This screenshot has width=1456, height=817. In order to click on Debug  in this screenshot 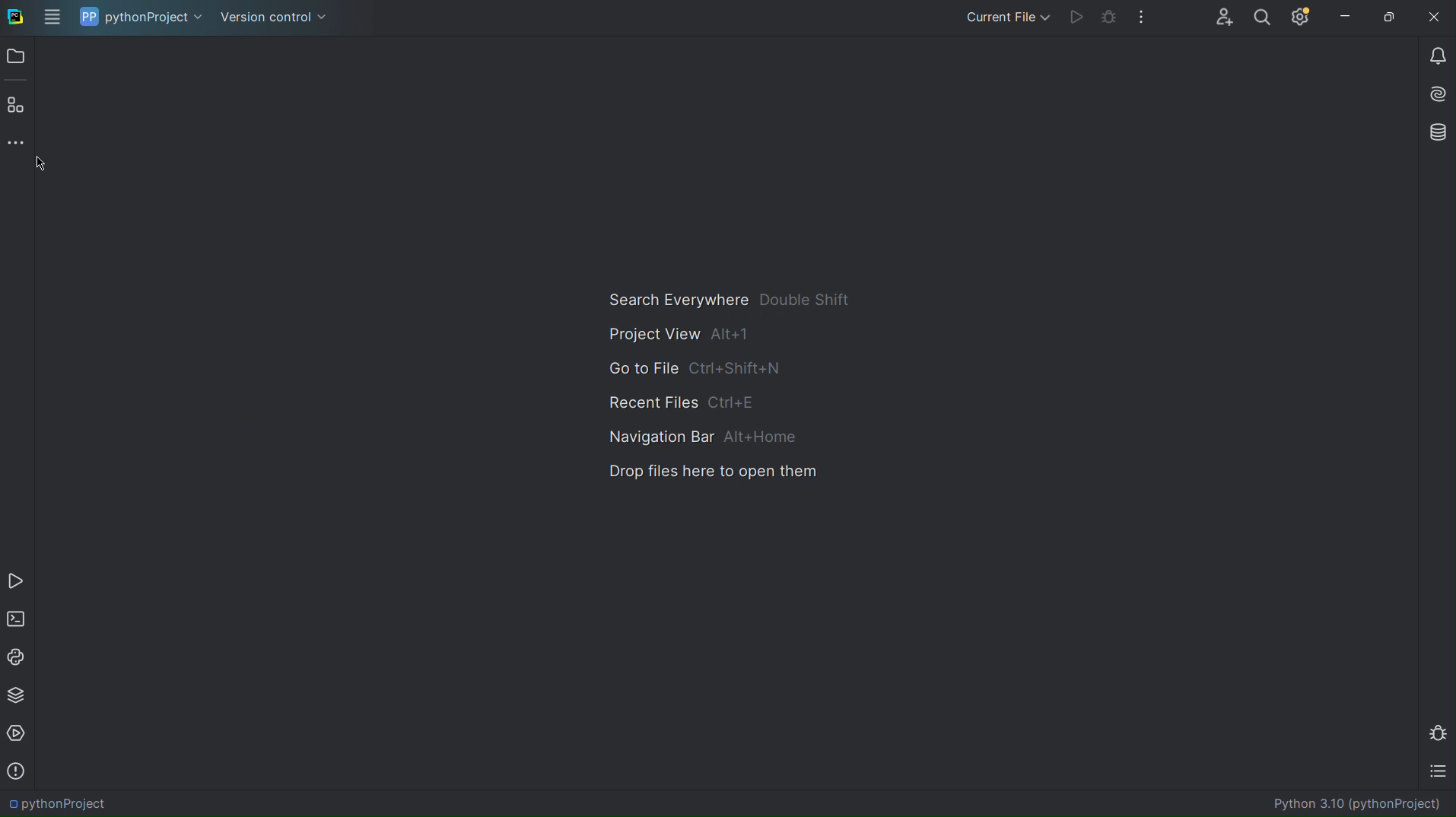, I will do `click(1111, 19)`.